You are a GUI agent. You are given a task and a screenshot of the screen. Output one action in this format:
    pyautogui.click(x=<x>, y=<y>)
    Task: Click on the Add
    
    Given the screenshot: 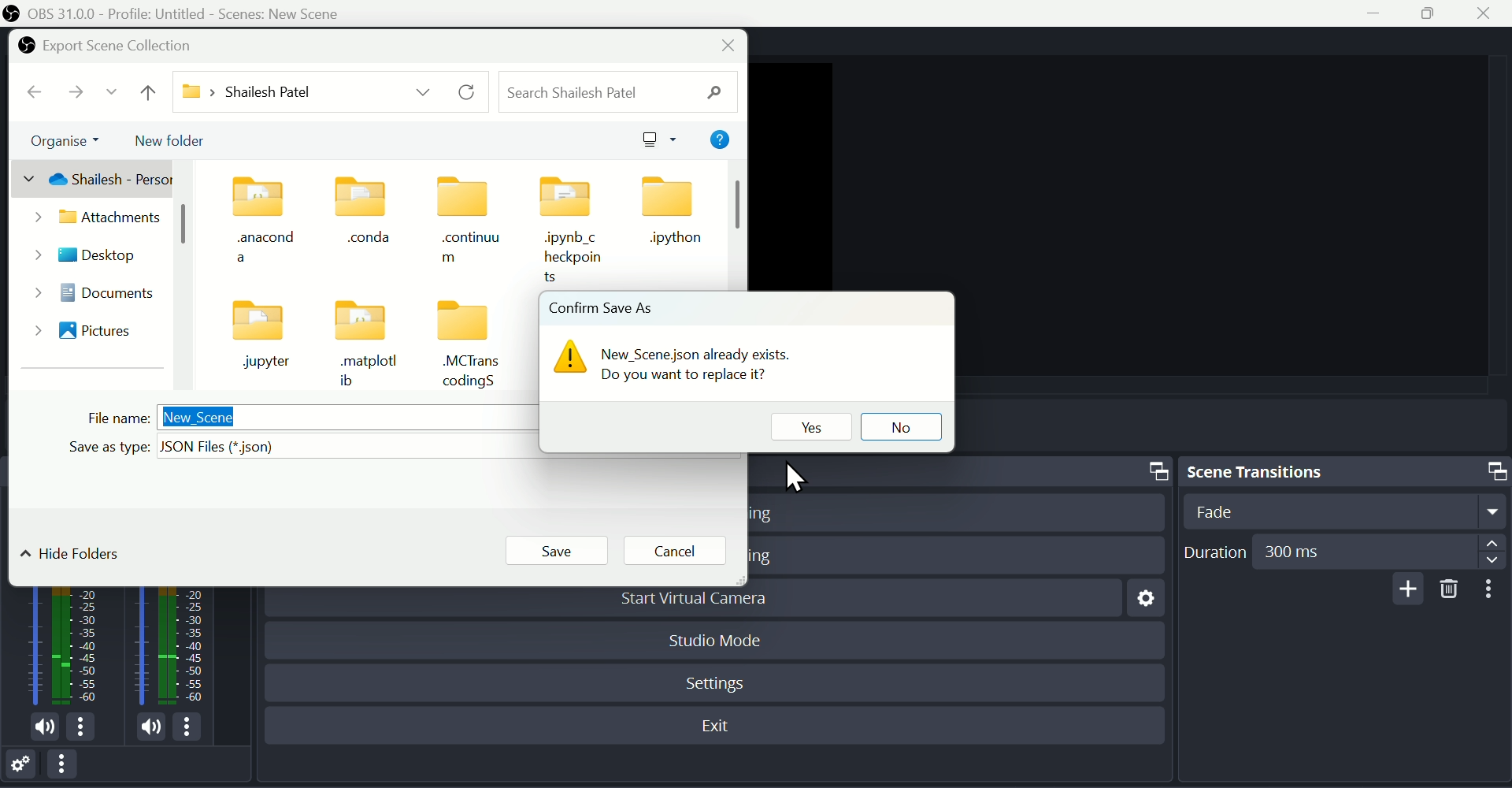 What is the action you would take?
    pyautogui.click(x=1404, y=589)
    